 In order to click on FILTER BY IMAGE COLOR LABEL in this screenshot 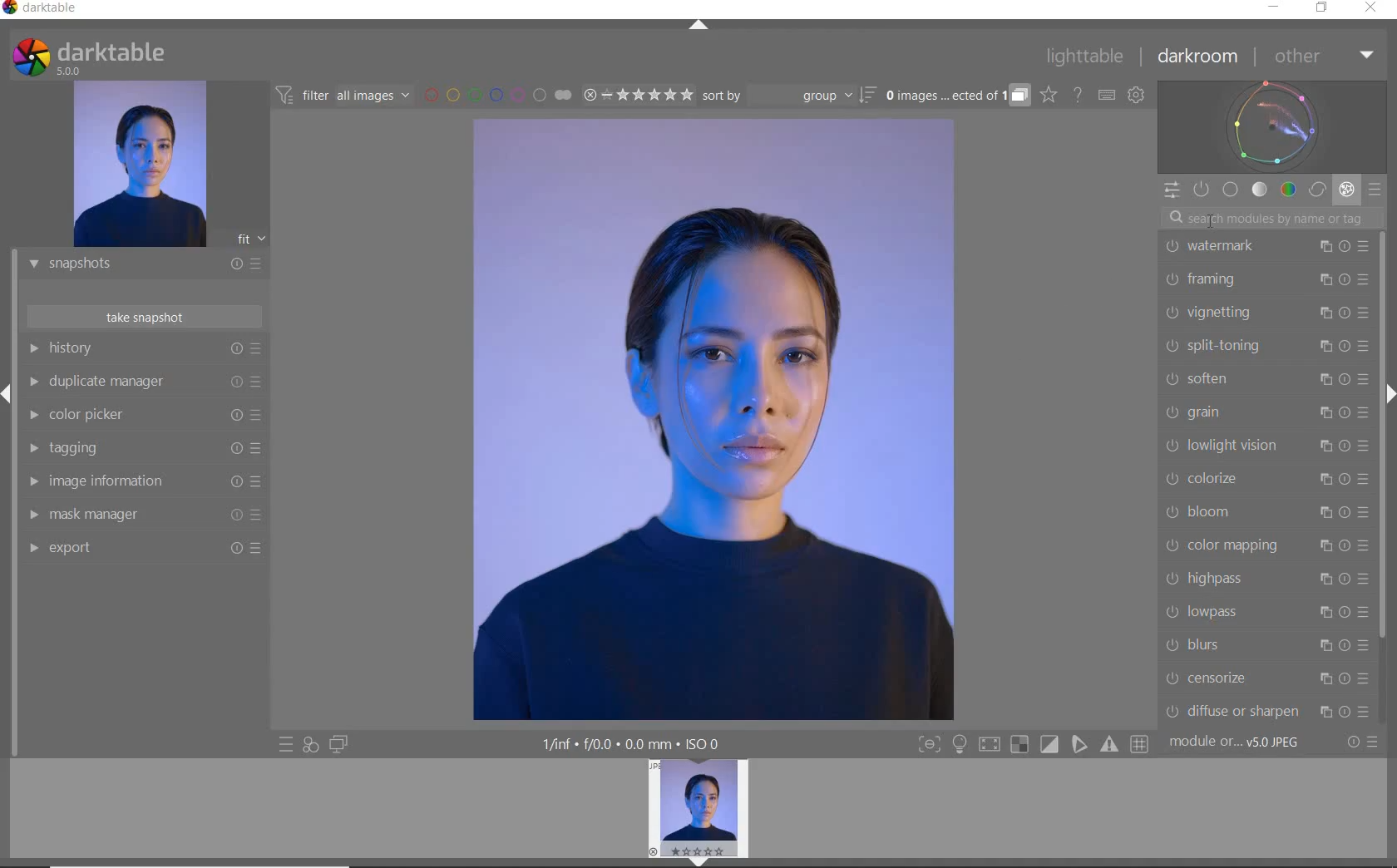, I will do `click(498, 94)`.